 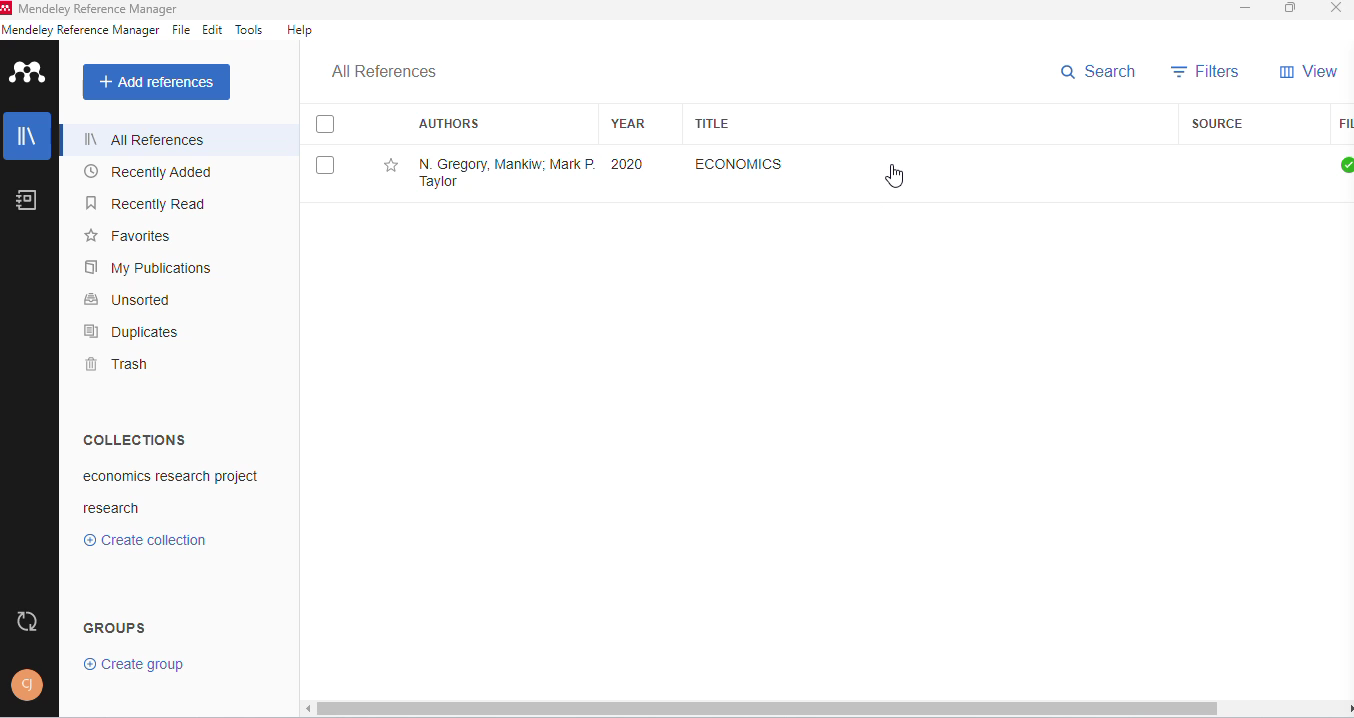 I want to click on recently added, so click(x=146, y=172).